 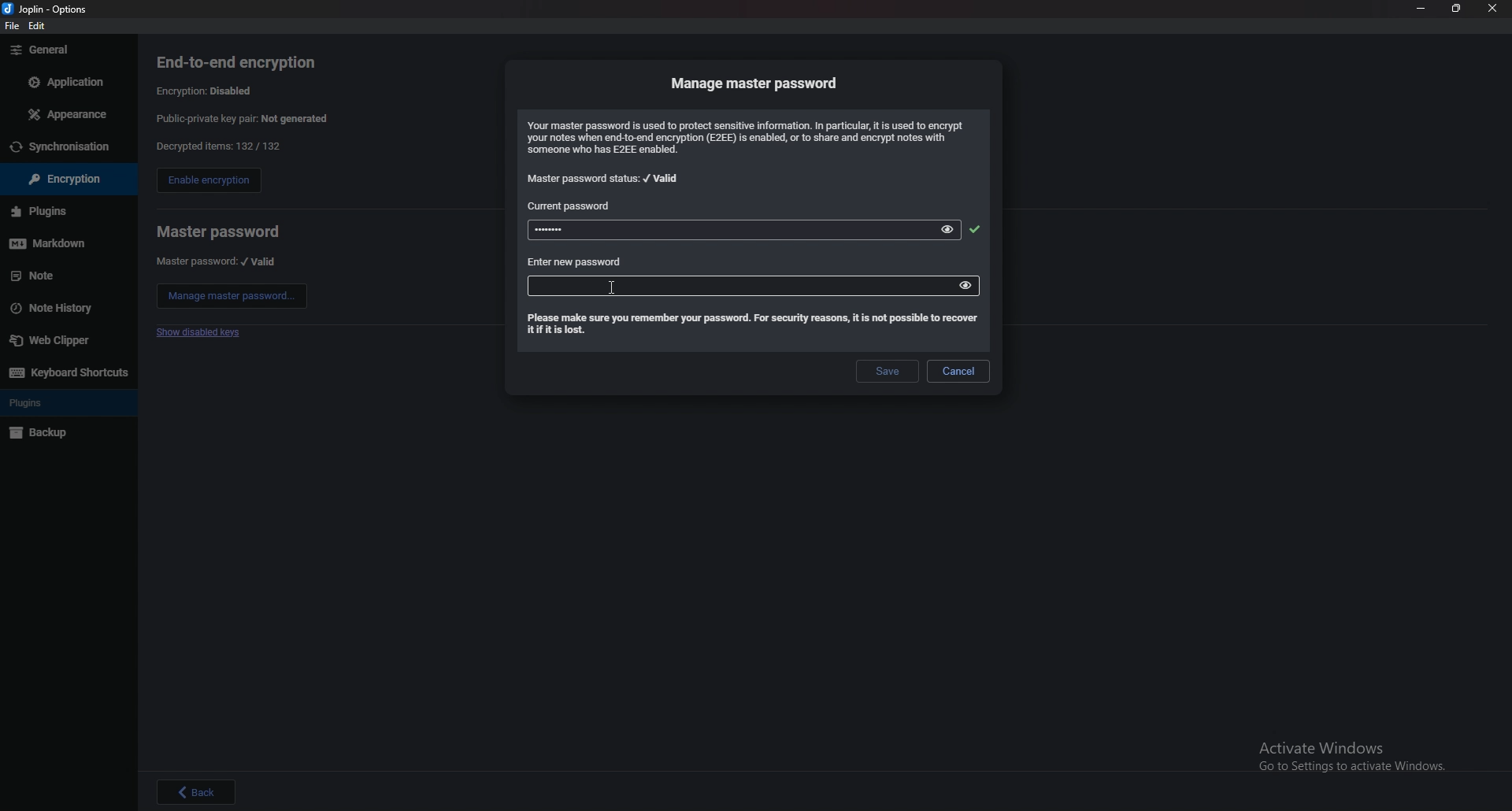 I want to click on note, so click(x=63, y=276).